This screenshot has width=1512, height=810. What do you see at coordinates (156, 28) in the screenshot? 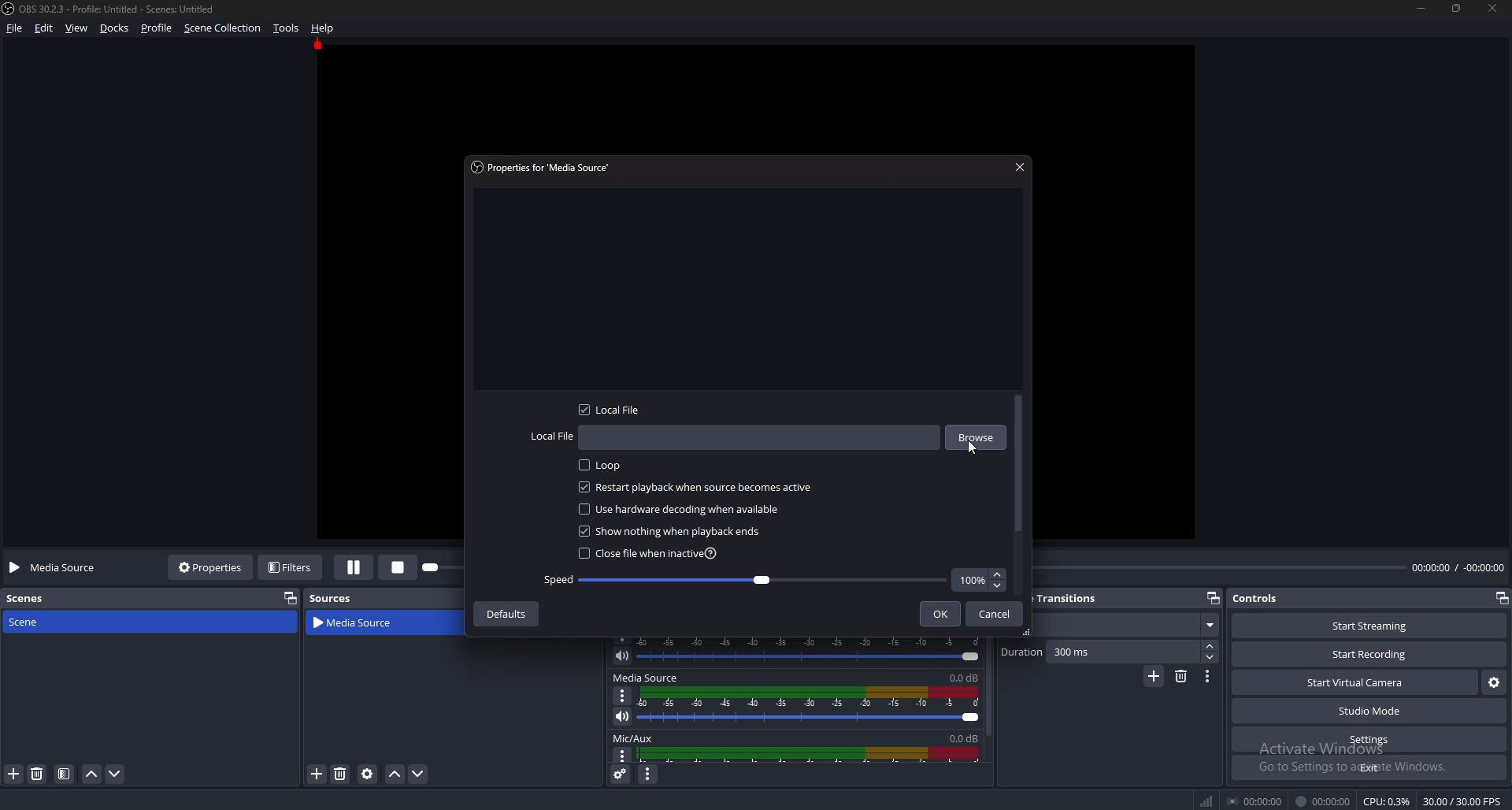
I see `Profile` at bounding box center [156, 28].